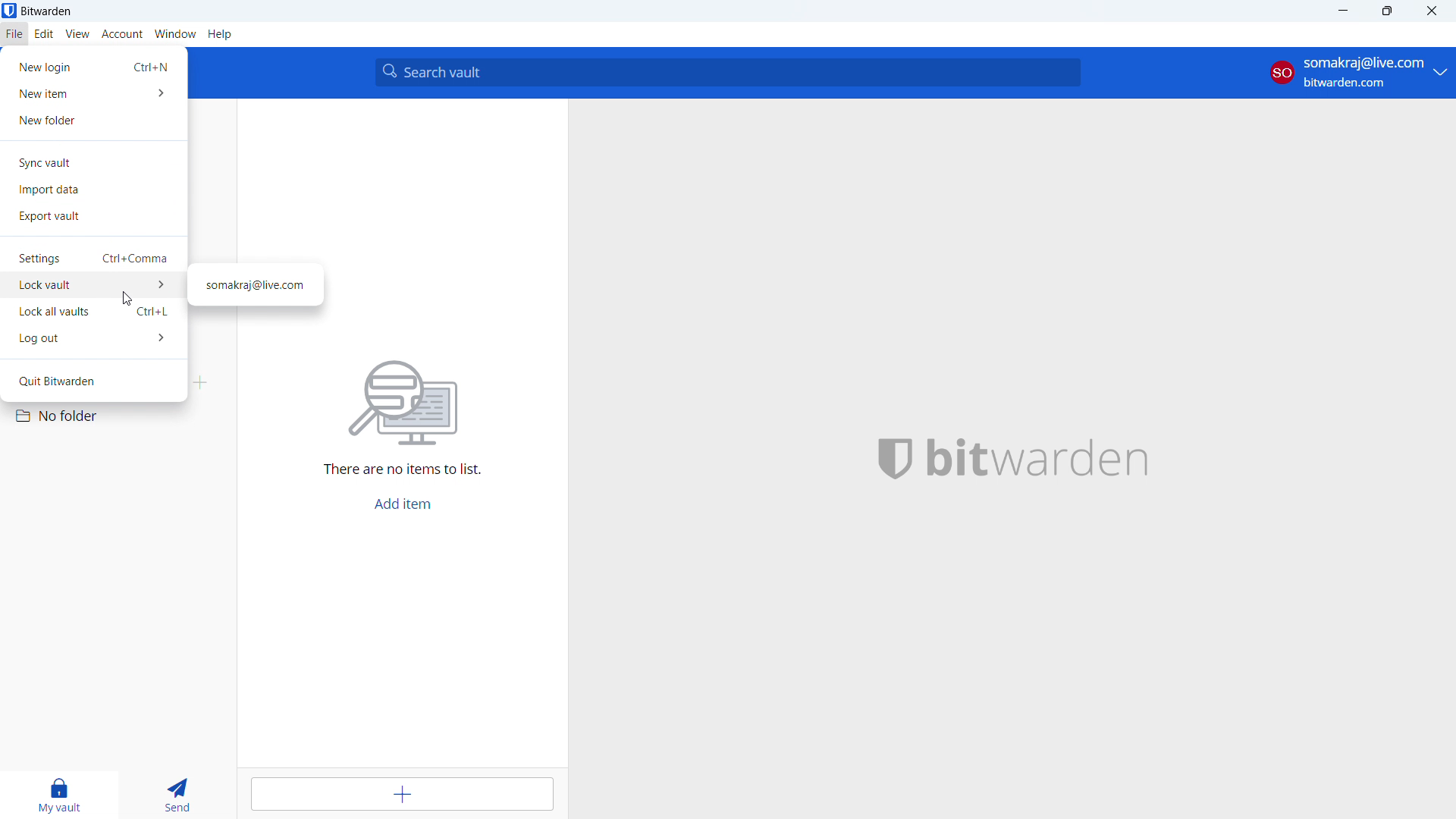 The image size is (1456, 819). What do you see at coordinates (93, 286) in the screenshot?
I see `lock vault` at bounding box center [93, 286].